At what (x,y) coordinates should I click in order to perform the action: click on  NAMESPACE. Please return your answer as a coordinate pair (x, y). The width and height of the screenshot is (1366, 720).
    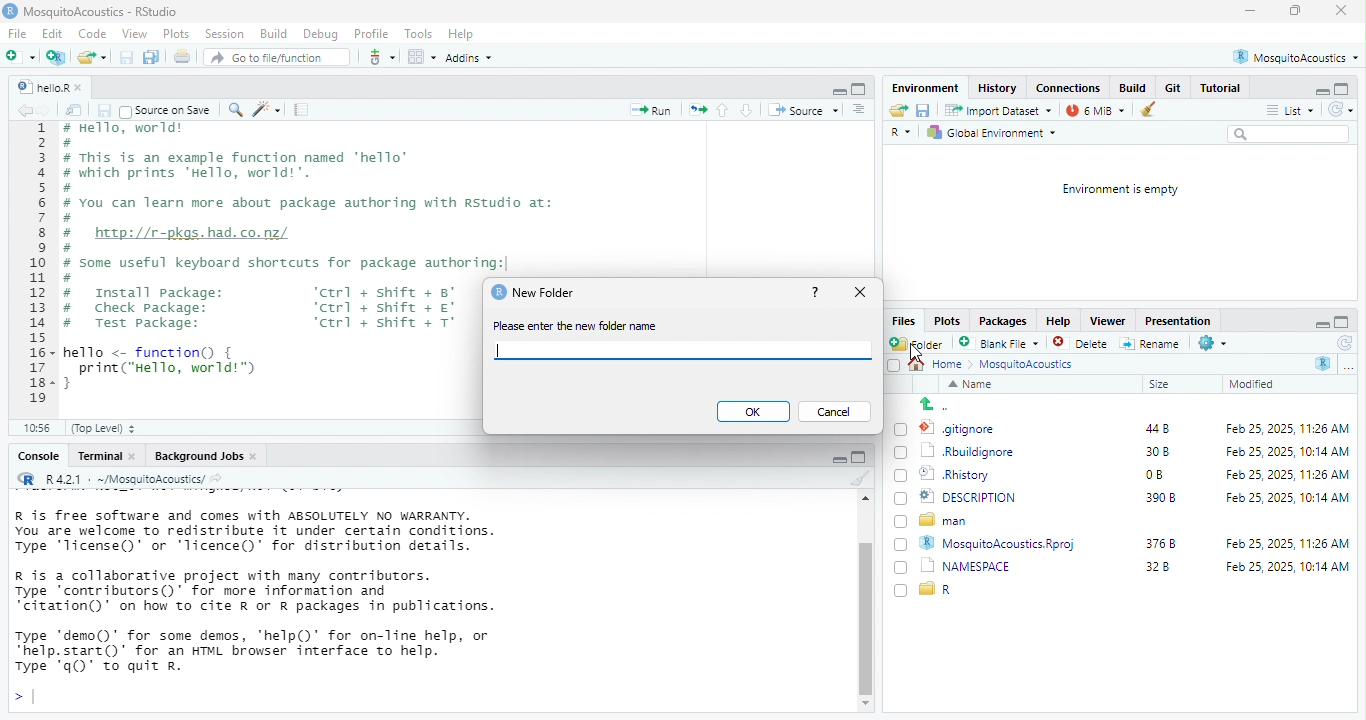
    Looking at the image, I should click on (976, 566).